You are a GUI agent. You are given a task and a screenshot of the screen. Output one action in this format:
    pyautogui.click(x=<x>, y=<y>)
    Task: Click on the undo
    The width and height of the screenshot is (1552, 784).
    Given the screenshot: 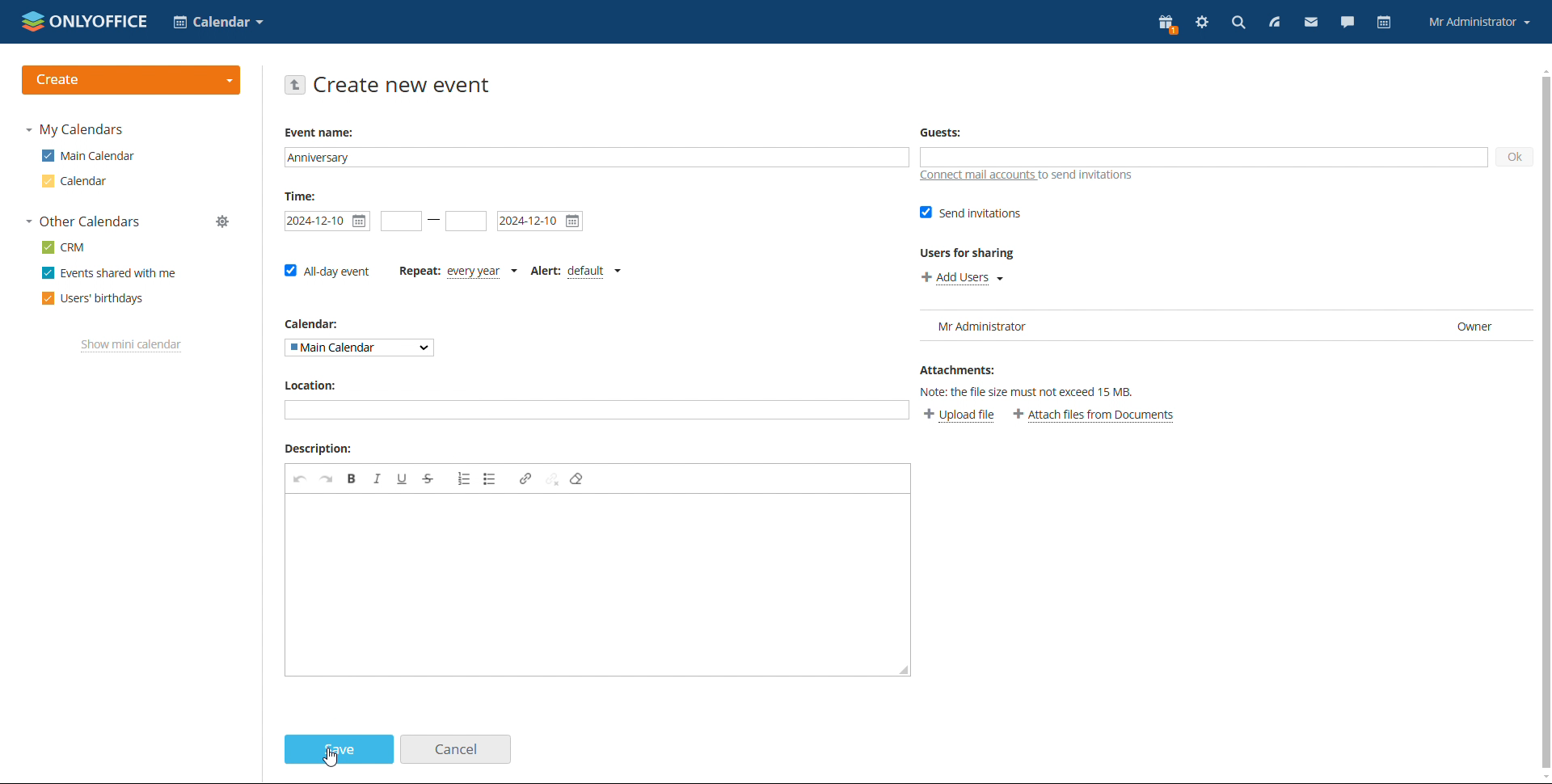 What is the action you would take?
    pyautogui.click(x=300, y=478)
    